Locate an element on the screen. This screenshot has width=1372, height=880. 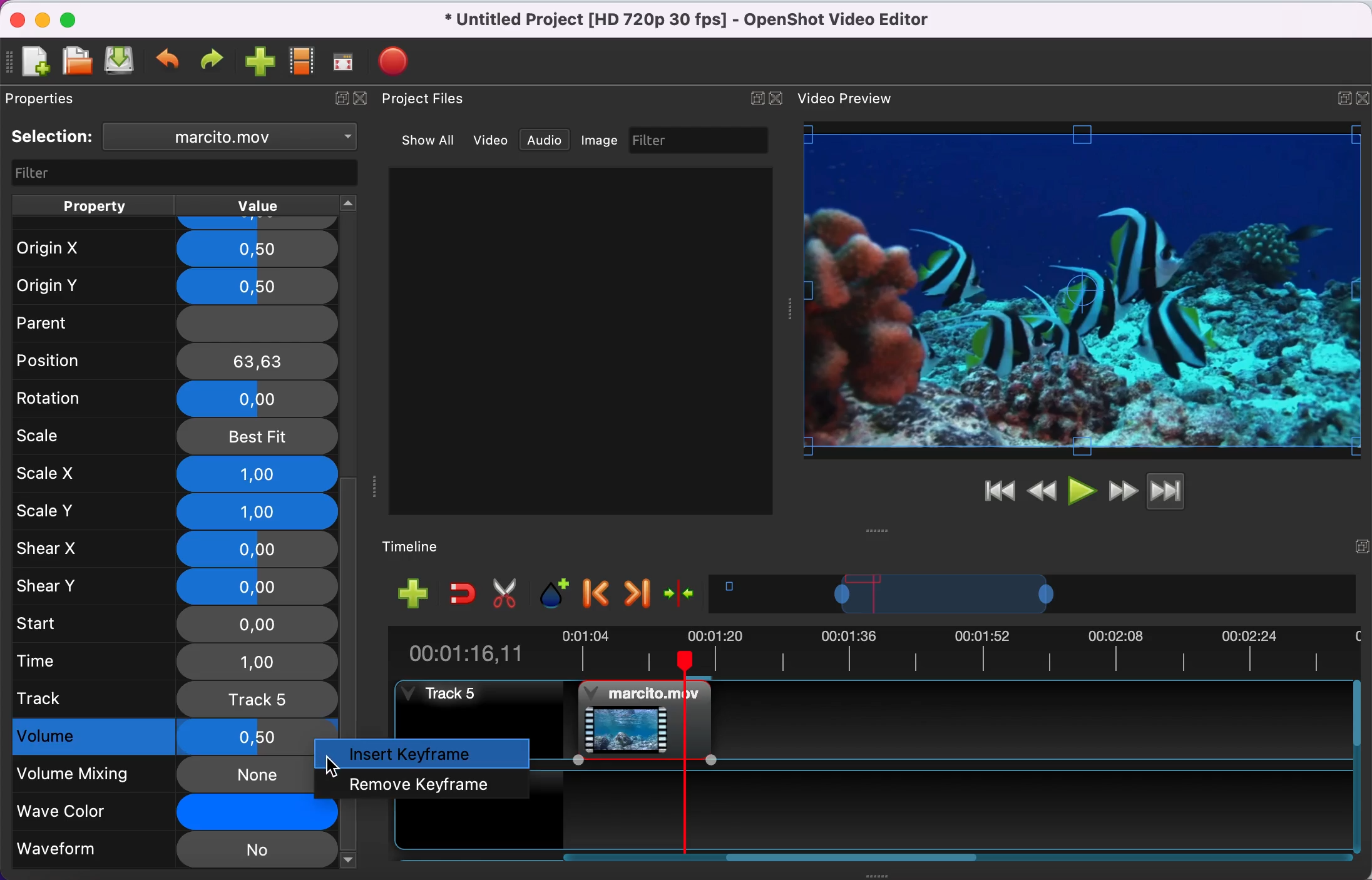
clip name is located at coordinates (232, 139).